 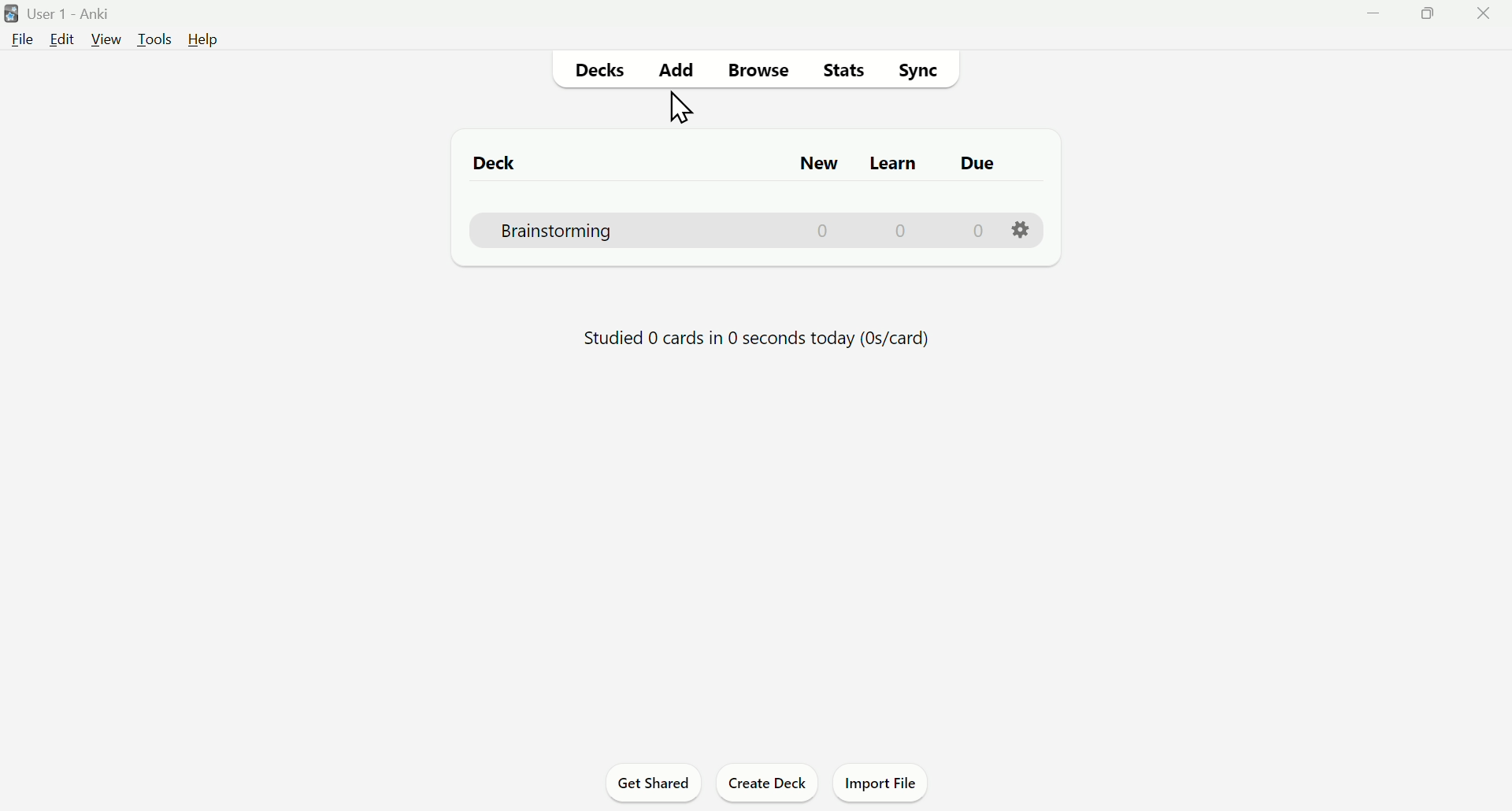 What do you see at coordinates (736, 340) in the screenshot?
I see `details of study` at bounding box center [736, 340].